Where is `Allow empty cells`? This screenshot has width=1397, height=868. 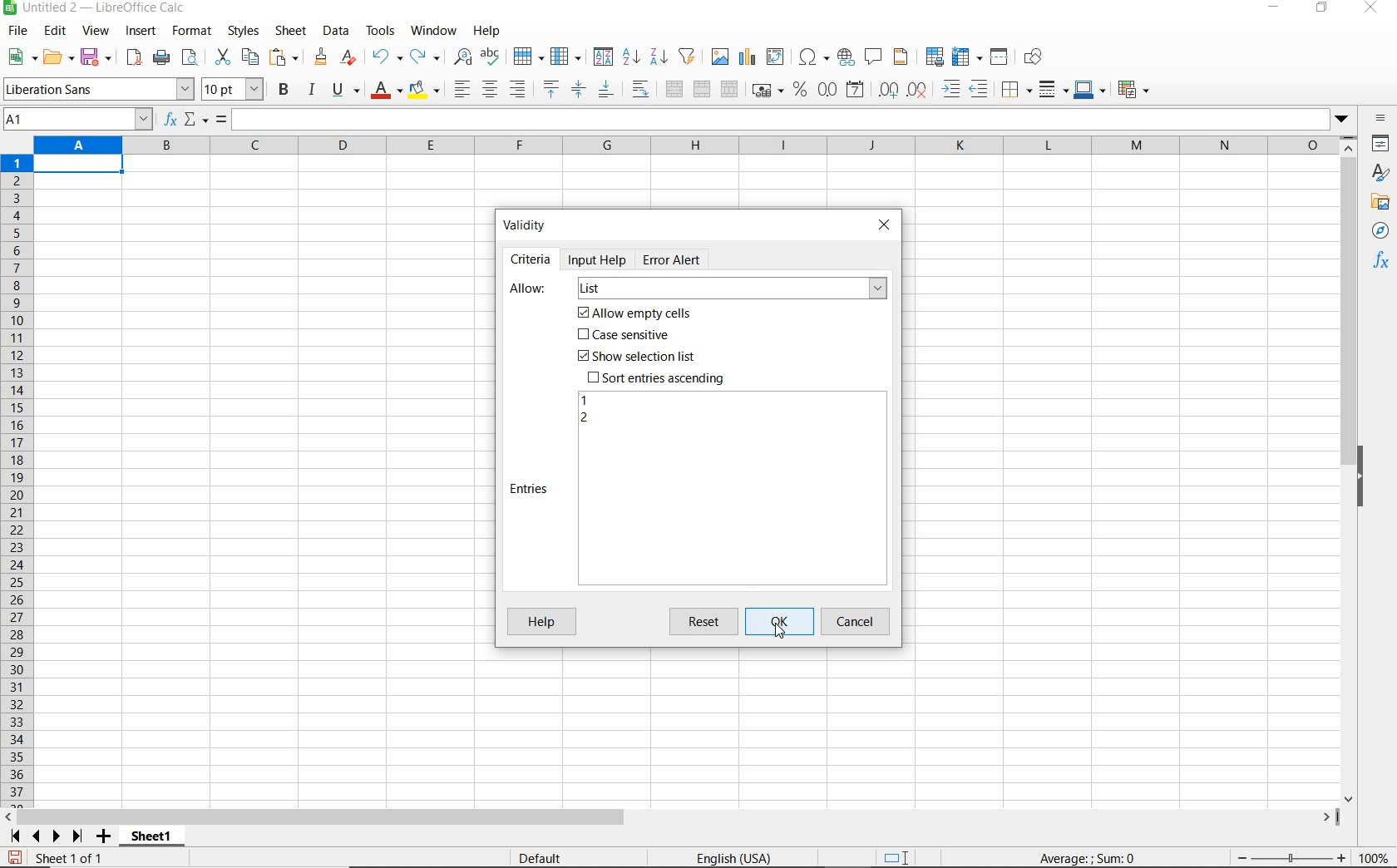 Allow empty cells is located at coordinates (636, 313).